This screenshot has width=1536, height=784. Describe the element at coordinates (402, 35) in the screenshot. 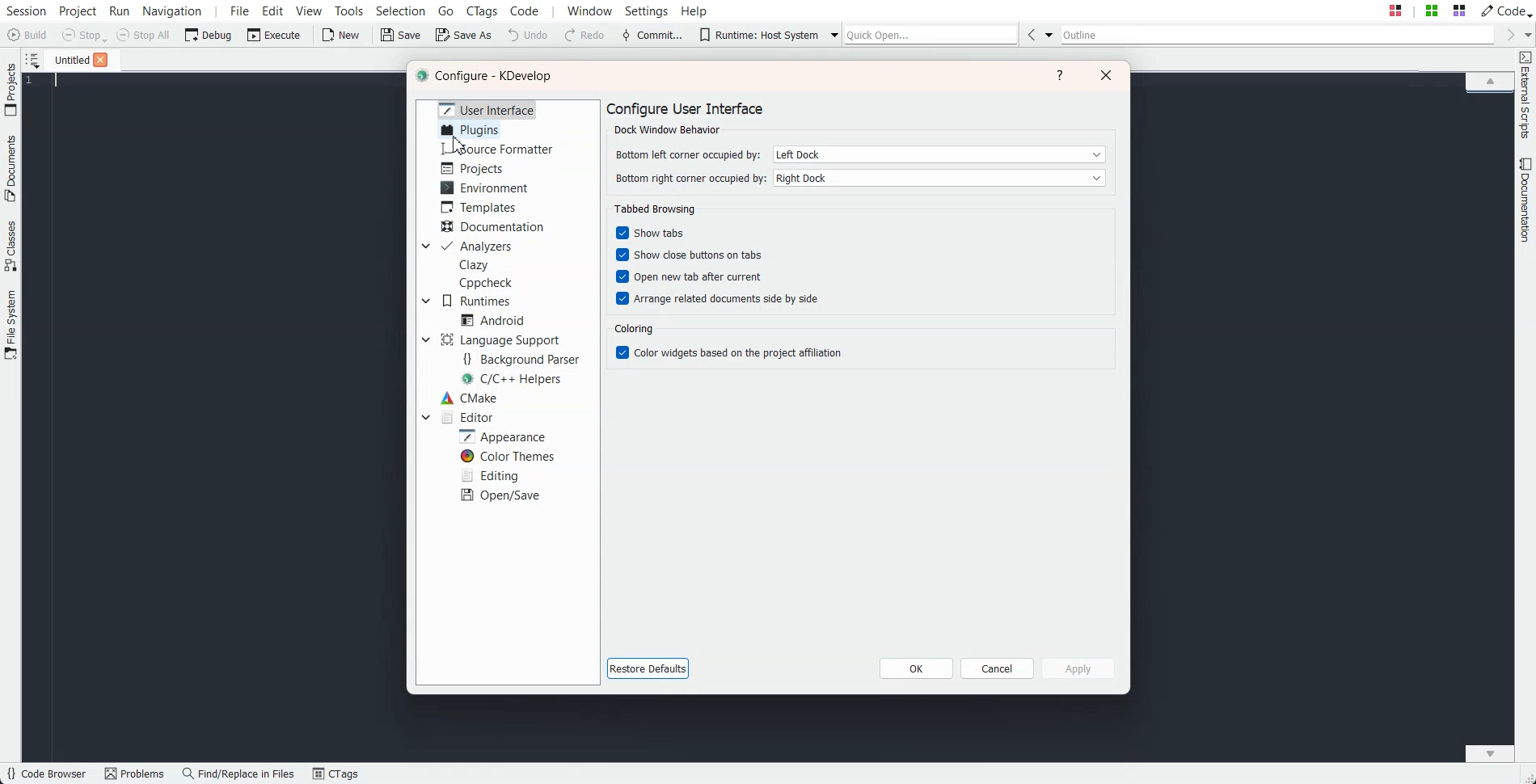

I see `Save` at that location.